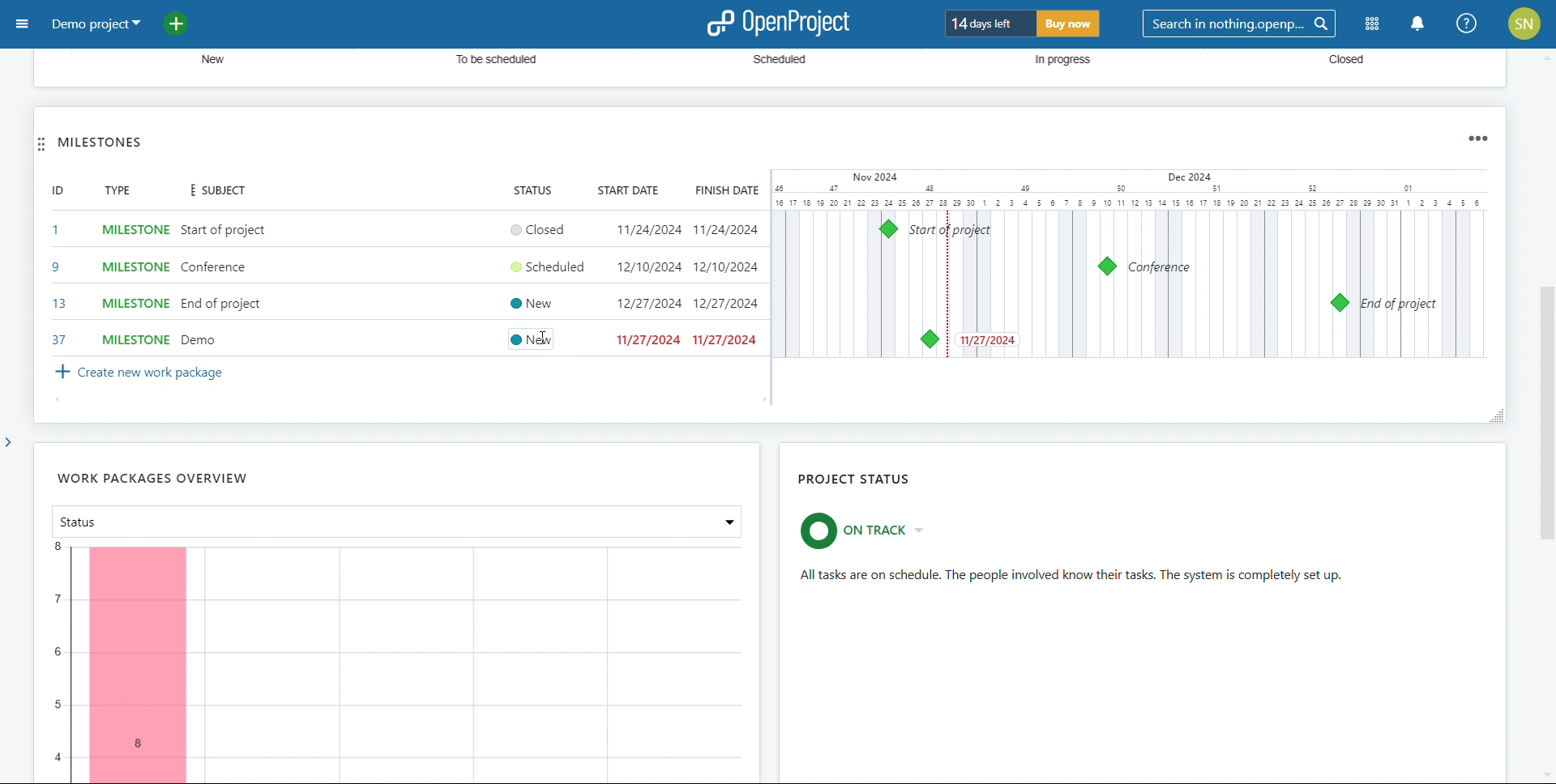  I want to click on set project status, so click(869, 530).